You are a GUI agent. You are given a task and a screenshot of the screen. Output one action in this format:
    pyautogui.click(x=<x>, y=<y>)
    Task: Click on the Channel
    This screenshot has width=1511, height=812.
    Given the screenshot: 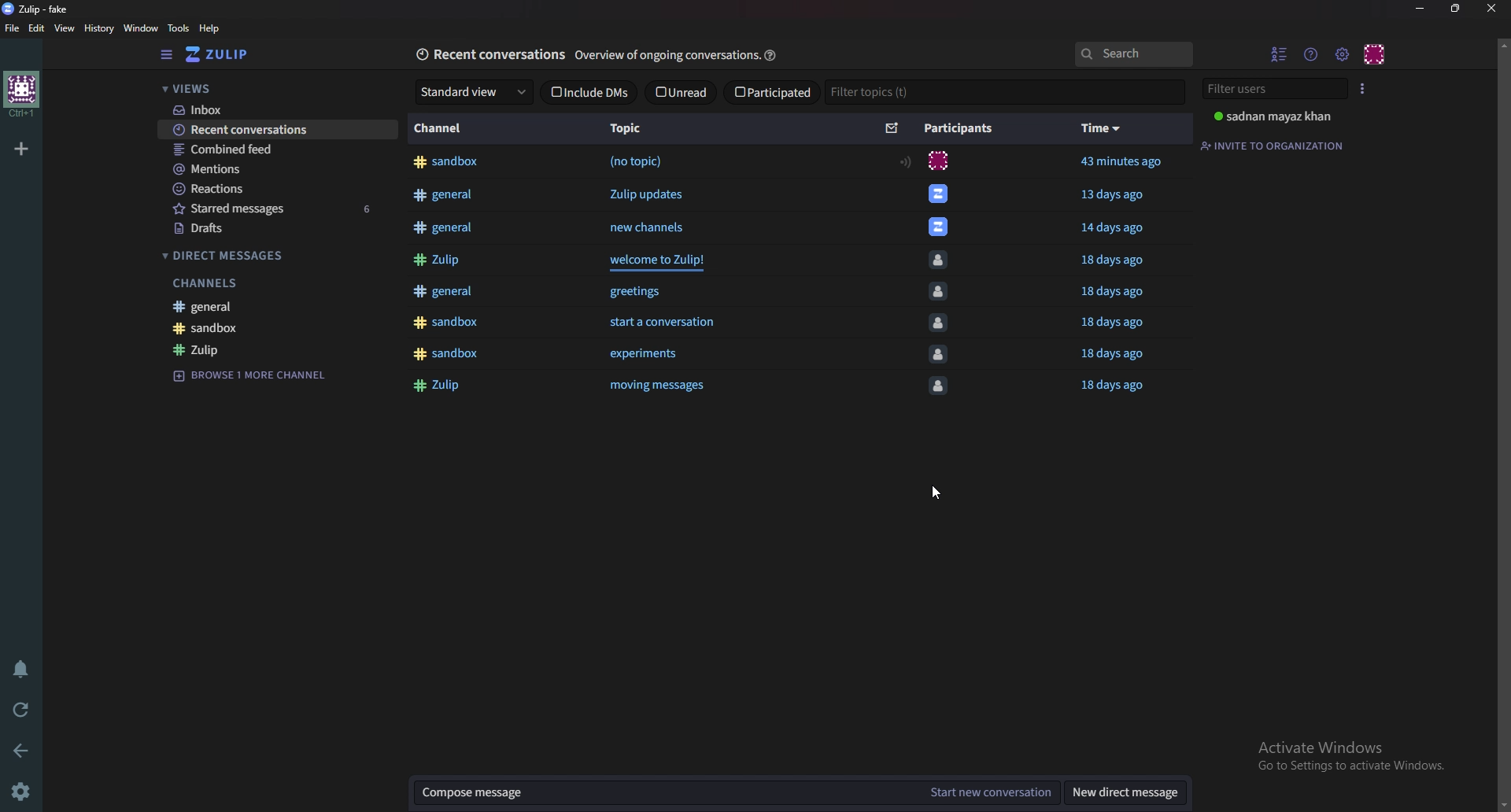 What is the action you would take?
    pyautogui.click(x=445, y=128)
    